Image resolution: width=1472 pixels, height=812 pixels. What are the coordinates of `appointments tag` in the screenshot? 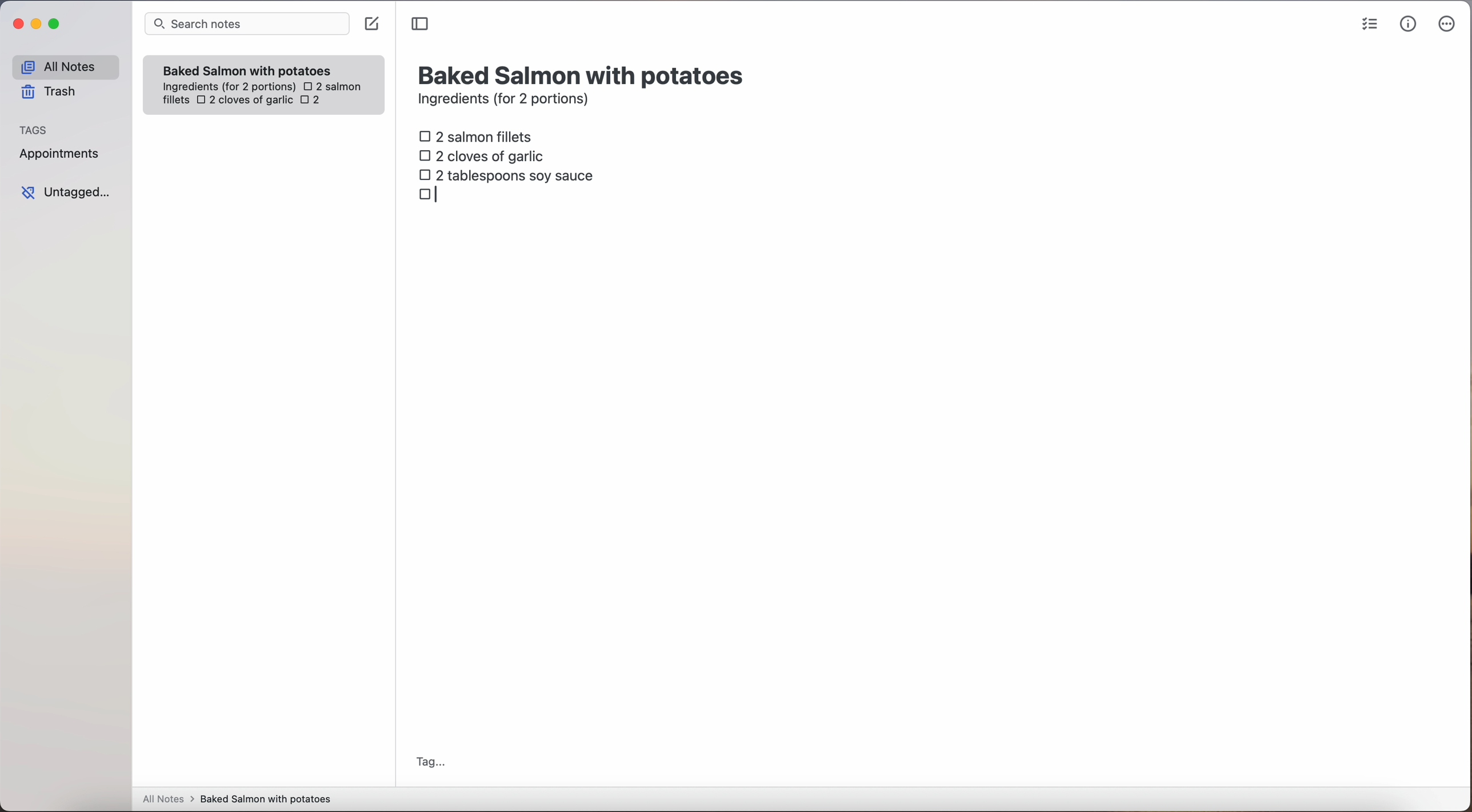 It's located at (61, 151).